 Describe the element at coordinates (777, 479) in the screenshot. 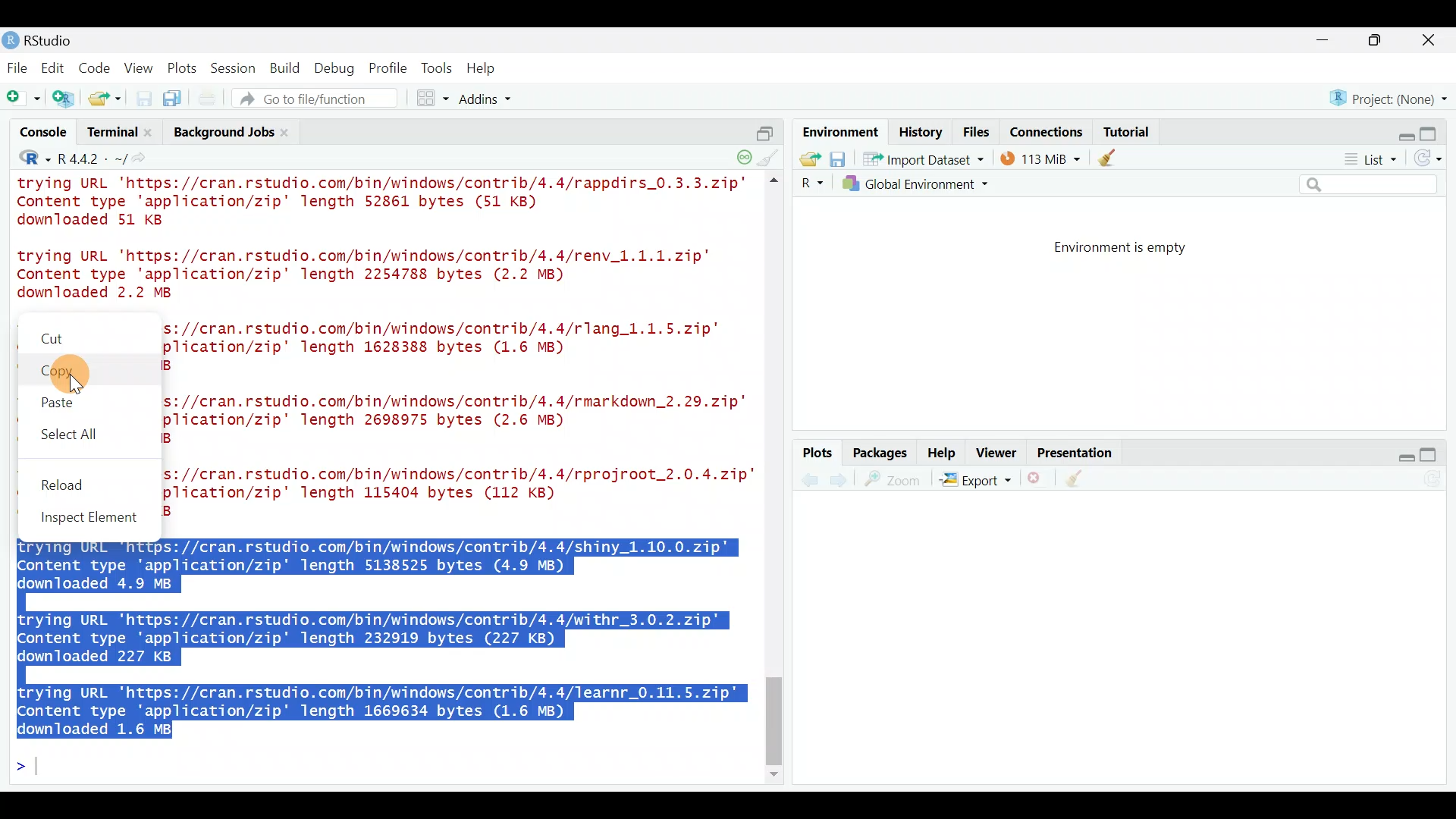

I see `scroll bar` at that location.